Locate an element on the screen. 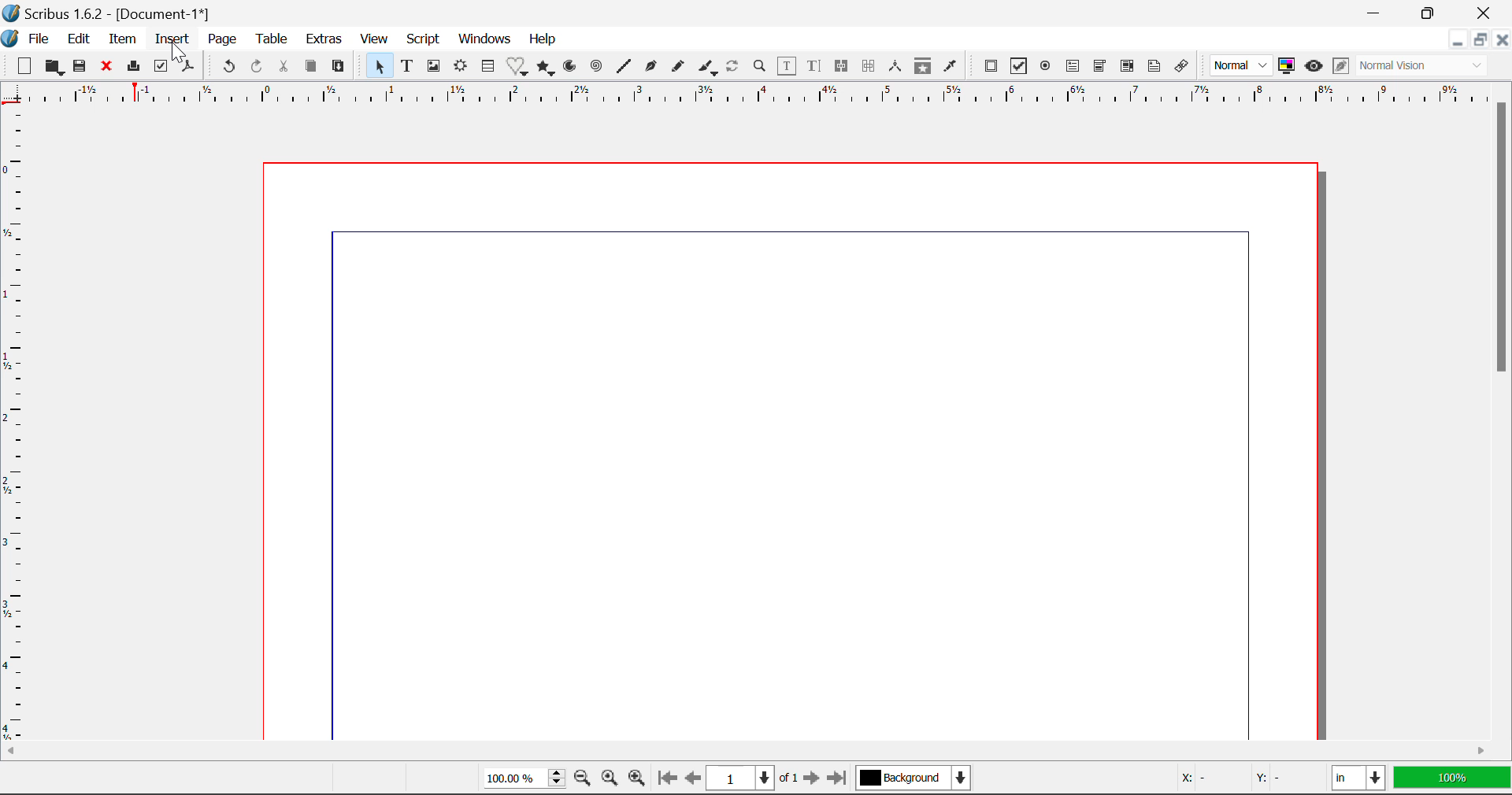 The image size is (1512, 795). Polygons is located at coordinates (547, 68).